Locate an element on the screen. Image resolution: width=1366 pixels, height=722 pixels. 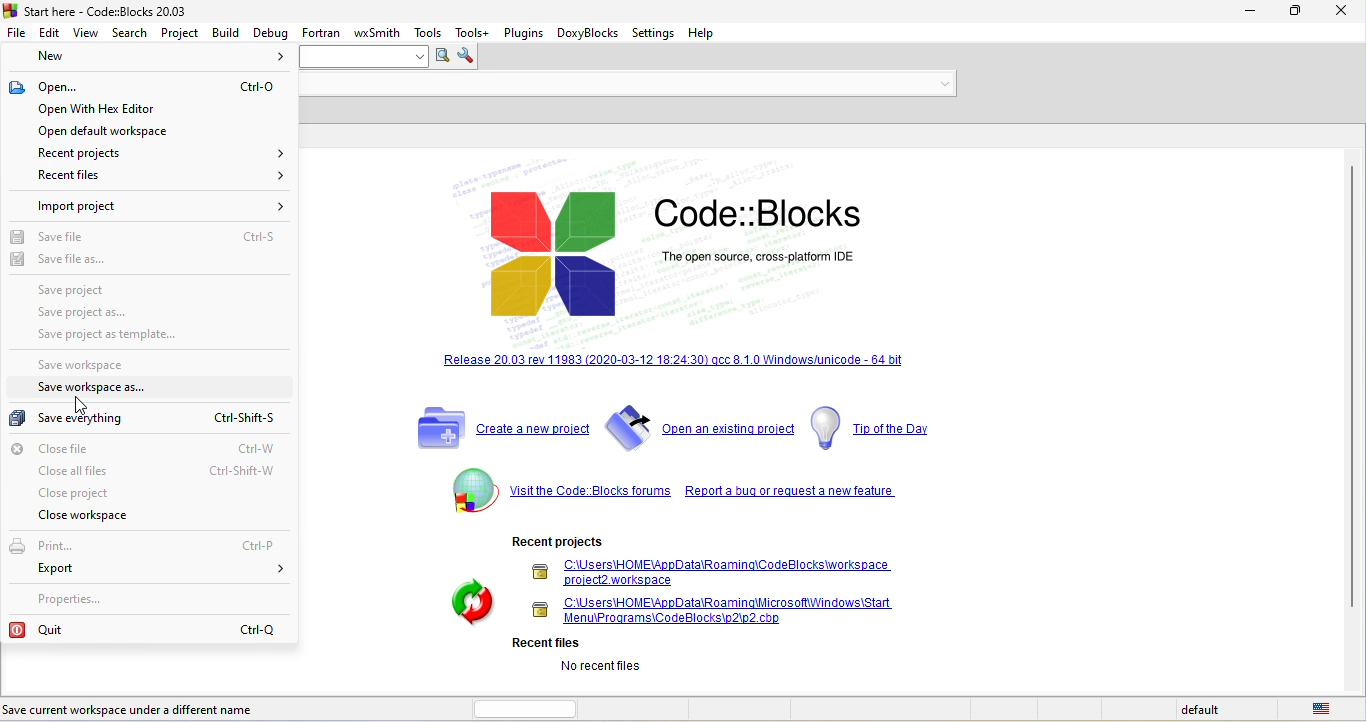
cursor movement is located at coordinates (75, 402).